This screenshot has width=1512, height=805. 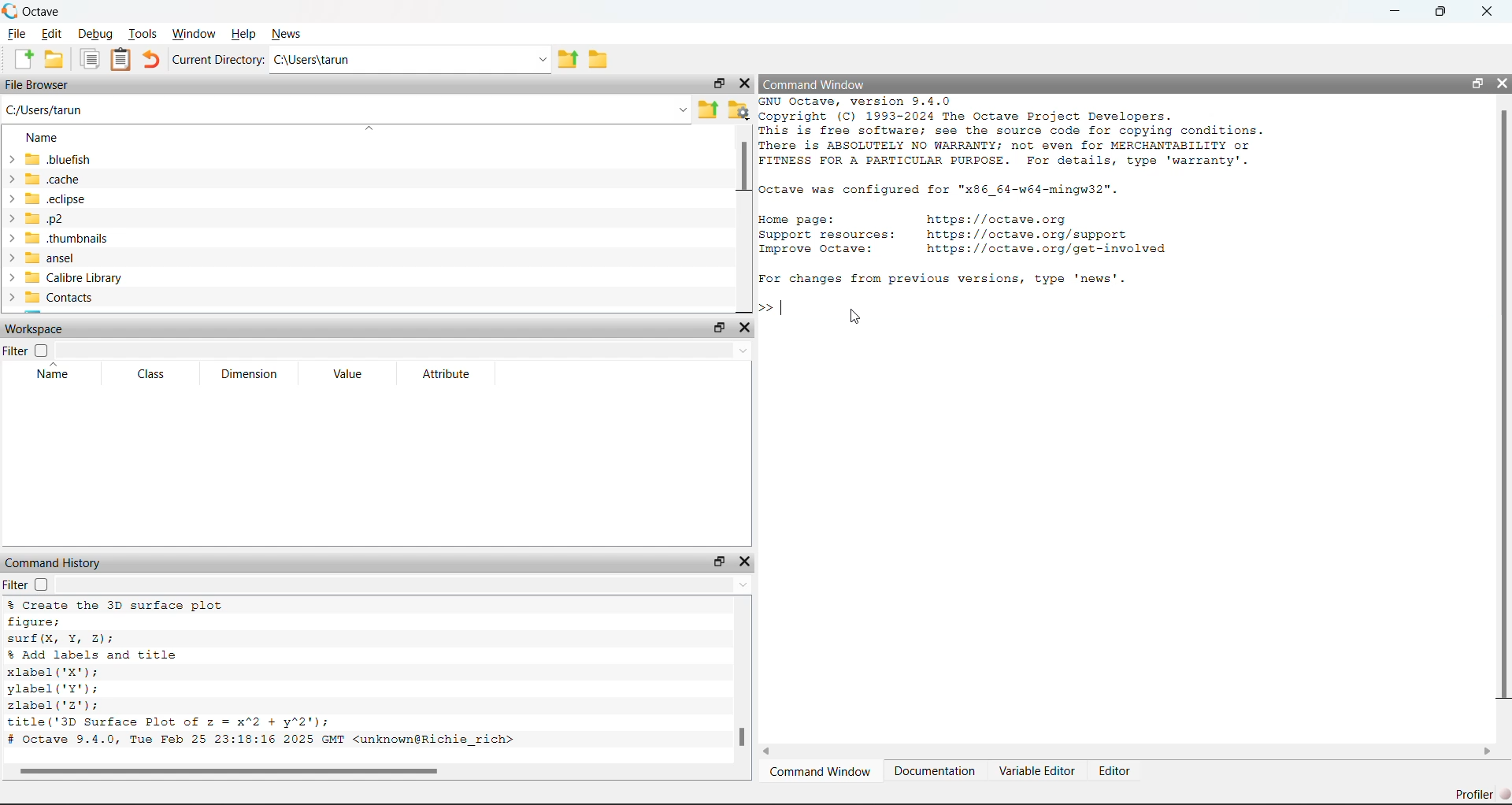 I want to click on Parent Directory, so click(x=709, y=109).